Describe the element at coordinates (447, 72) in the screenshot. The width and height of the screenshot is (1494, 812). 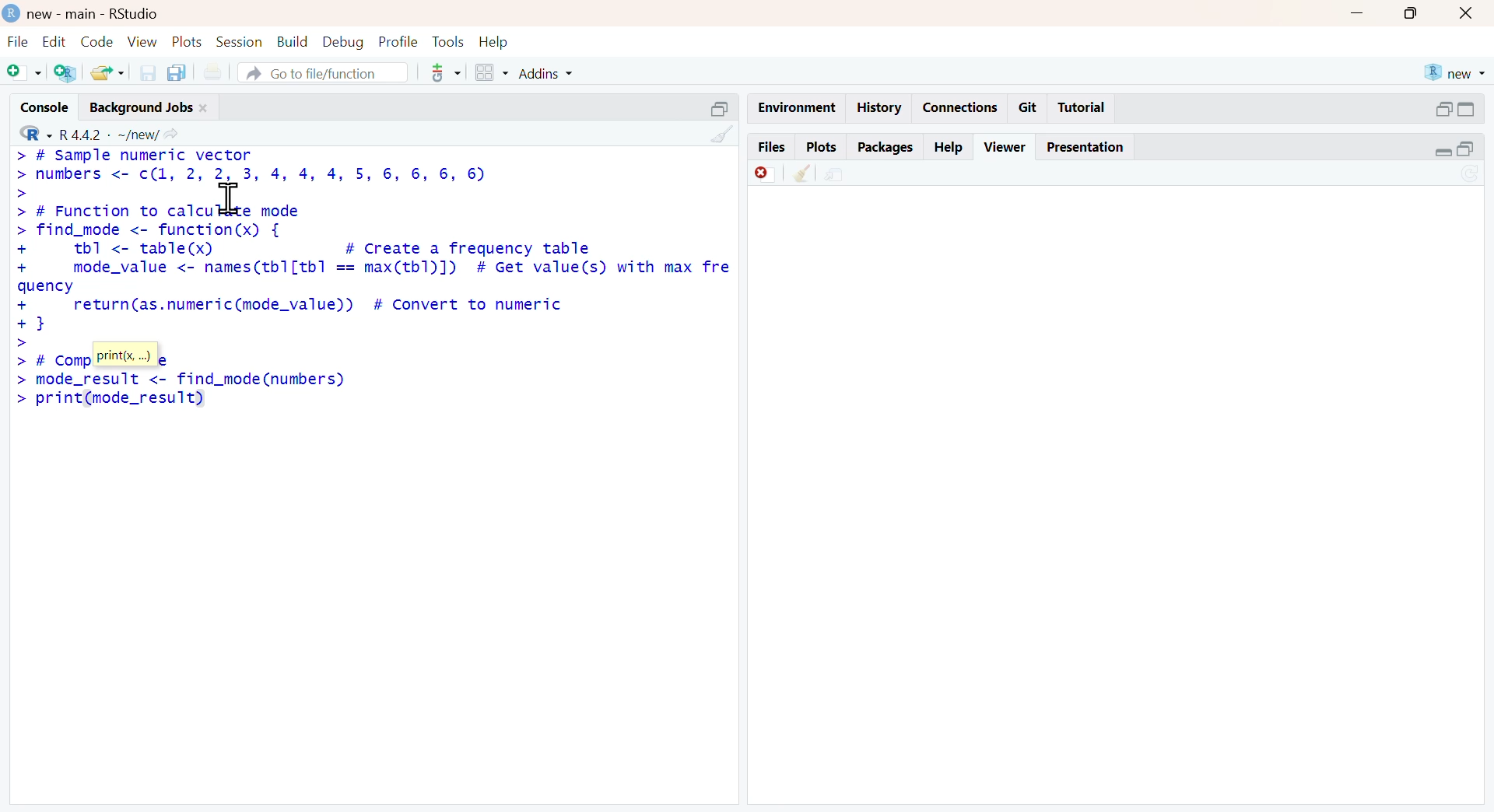
I see `tools` at that location.